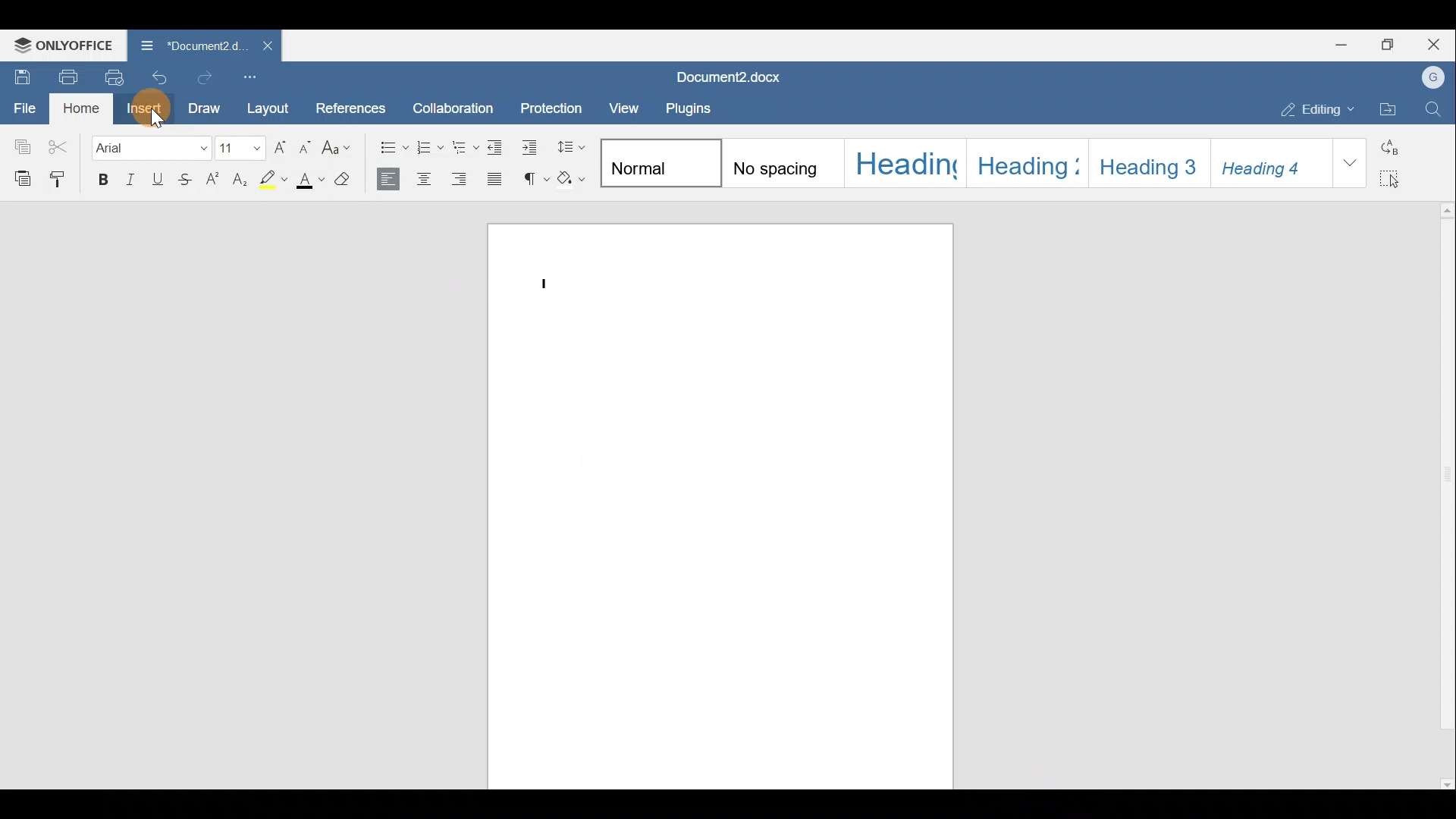  Describe the element at coordinates (19, 144) in the screenshot. I see `Copy` at that location.